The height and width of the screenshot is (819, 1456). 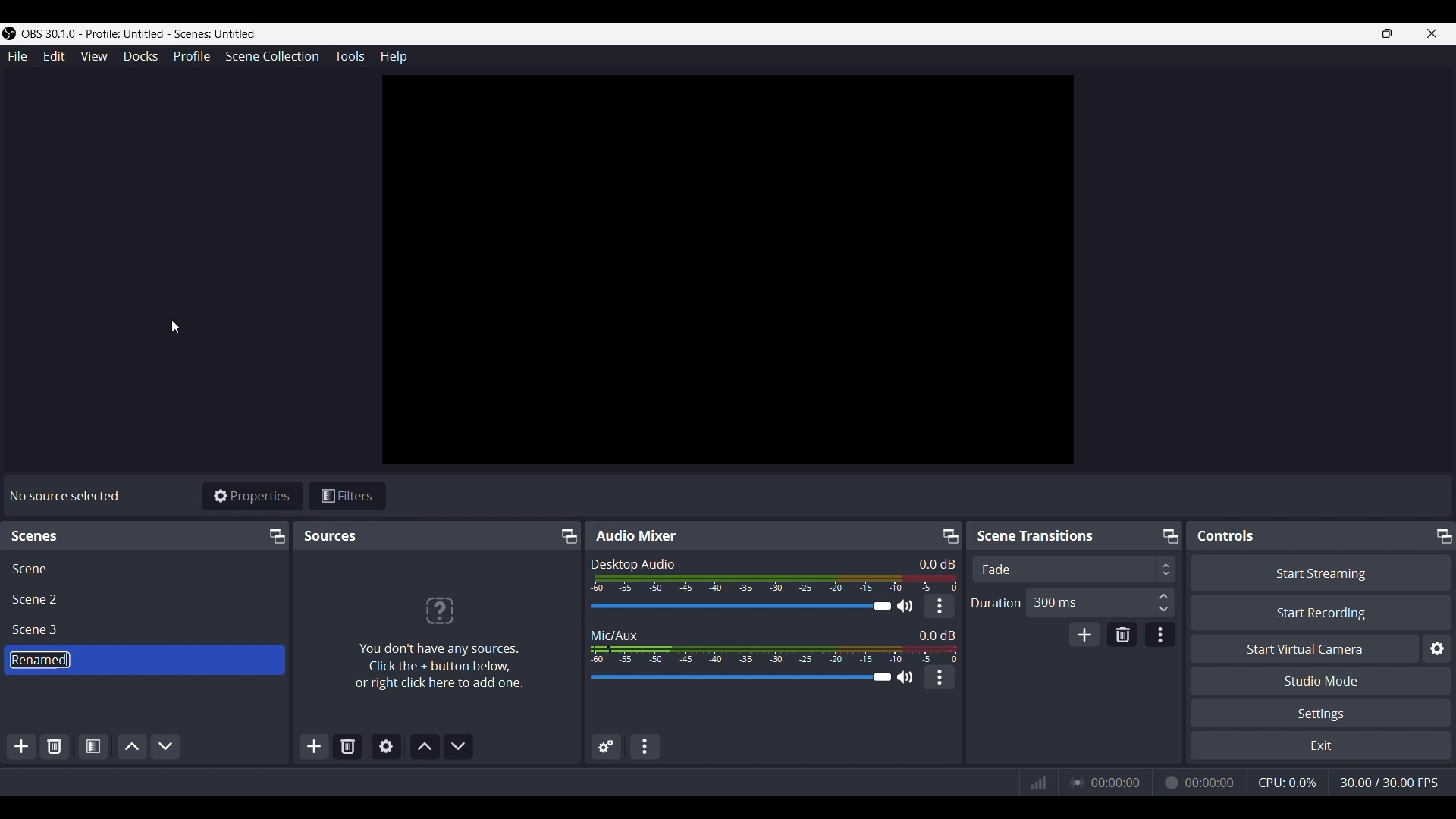 I want to click on Tools, so click(x=350, y=55).